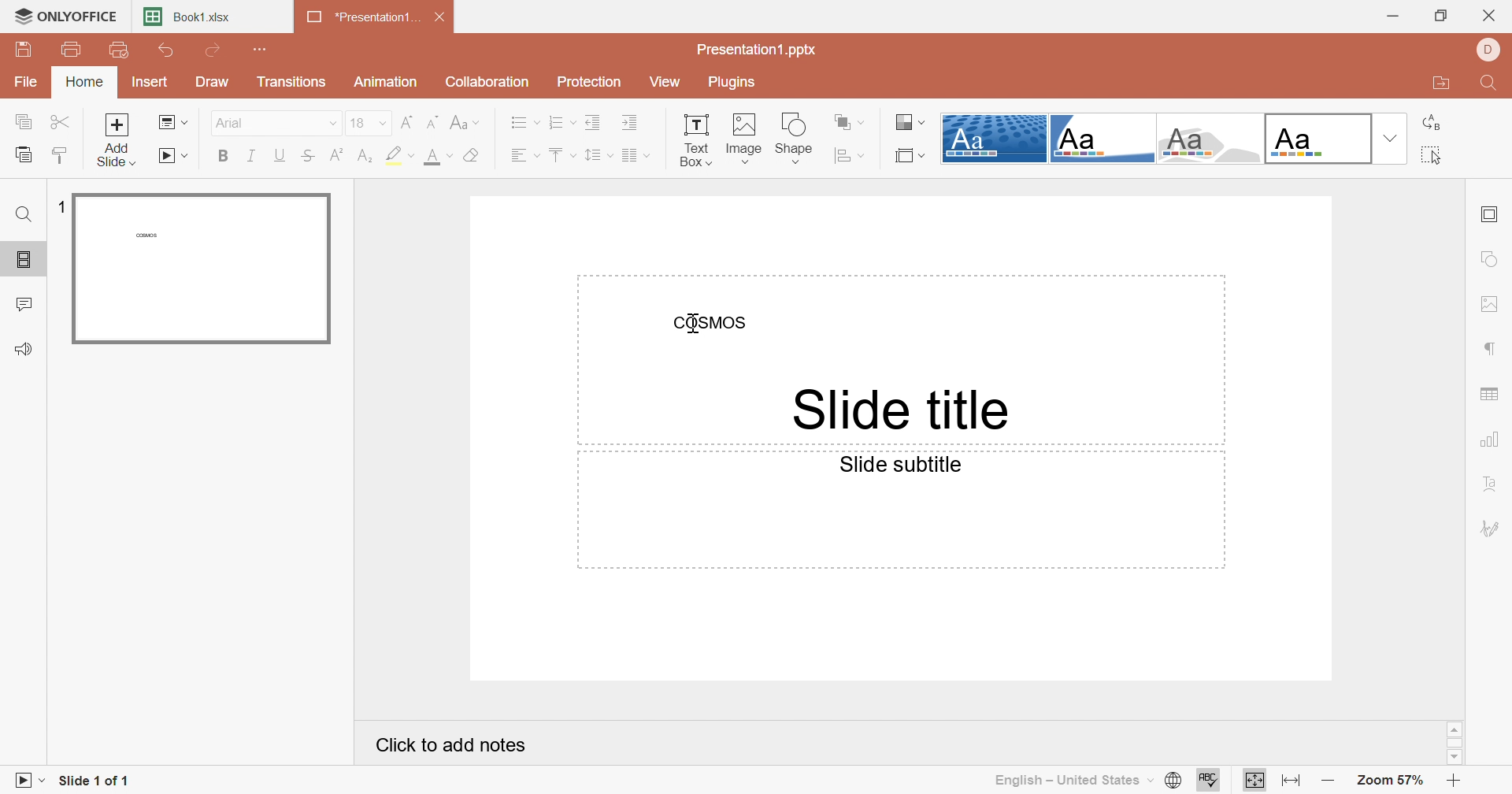 This screenshot has height=794, width=1512. I want to click on Close, so click(438, 17).